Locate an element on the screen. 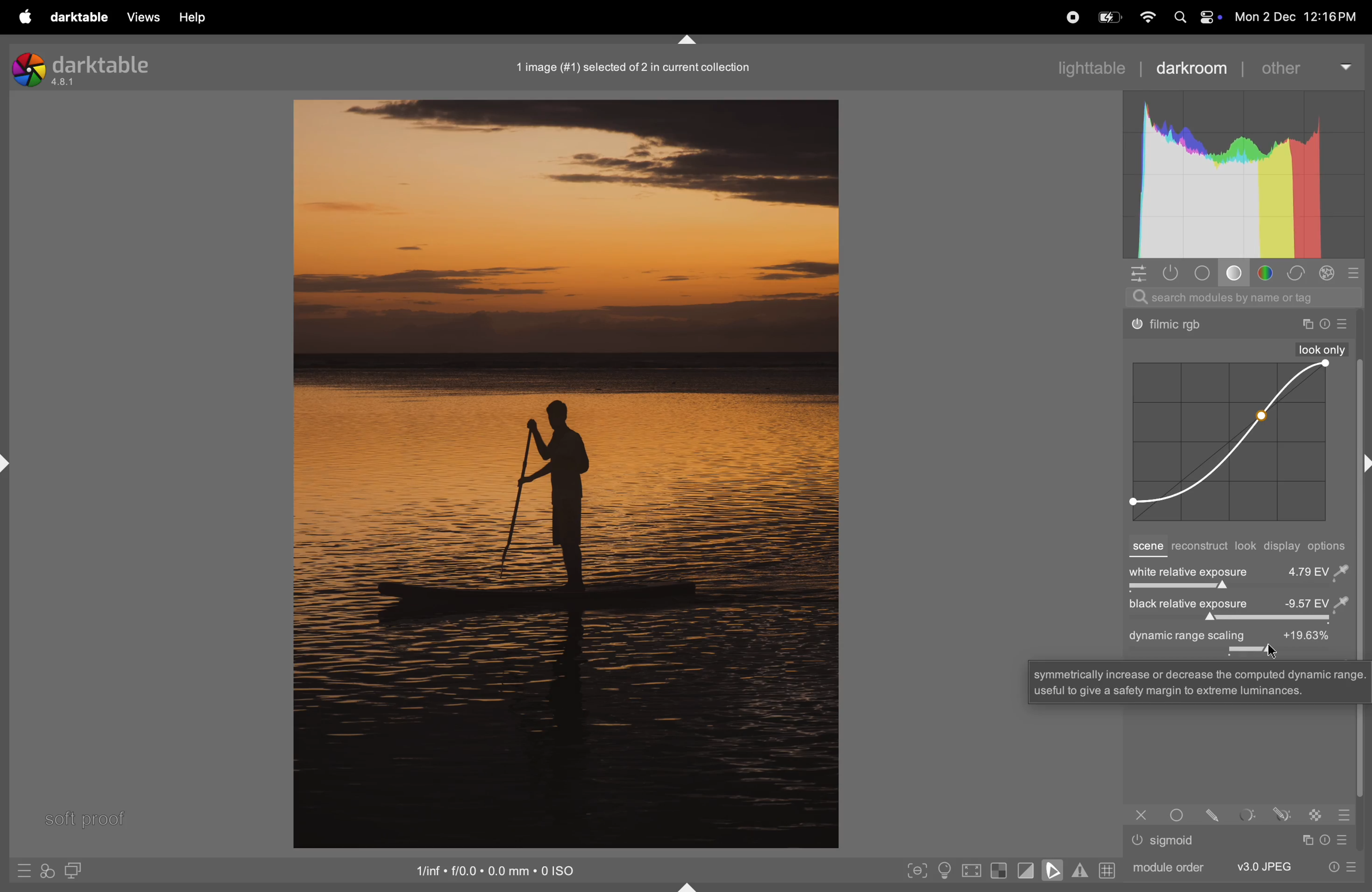 Image resolution: width=1372 pixels, height=892 pixels. grid is located at coordinates (1106, 870).